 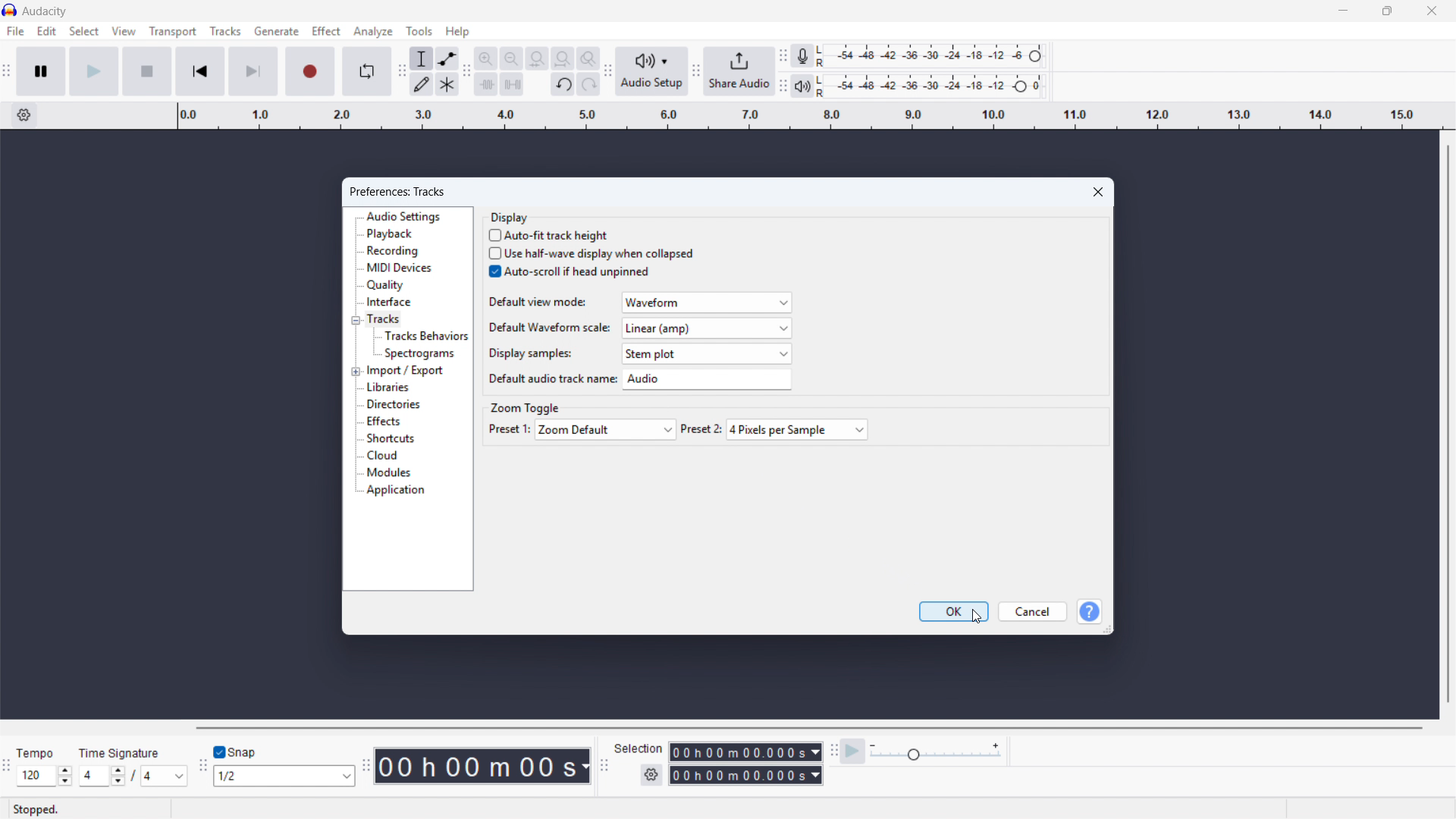 I want to click on stop, so click(x=148, y=71).